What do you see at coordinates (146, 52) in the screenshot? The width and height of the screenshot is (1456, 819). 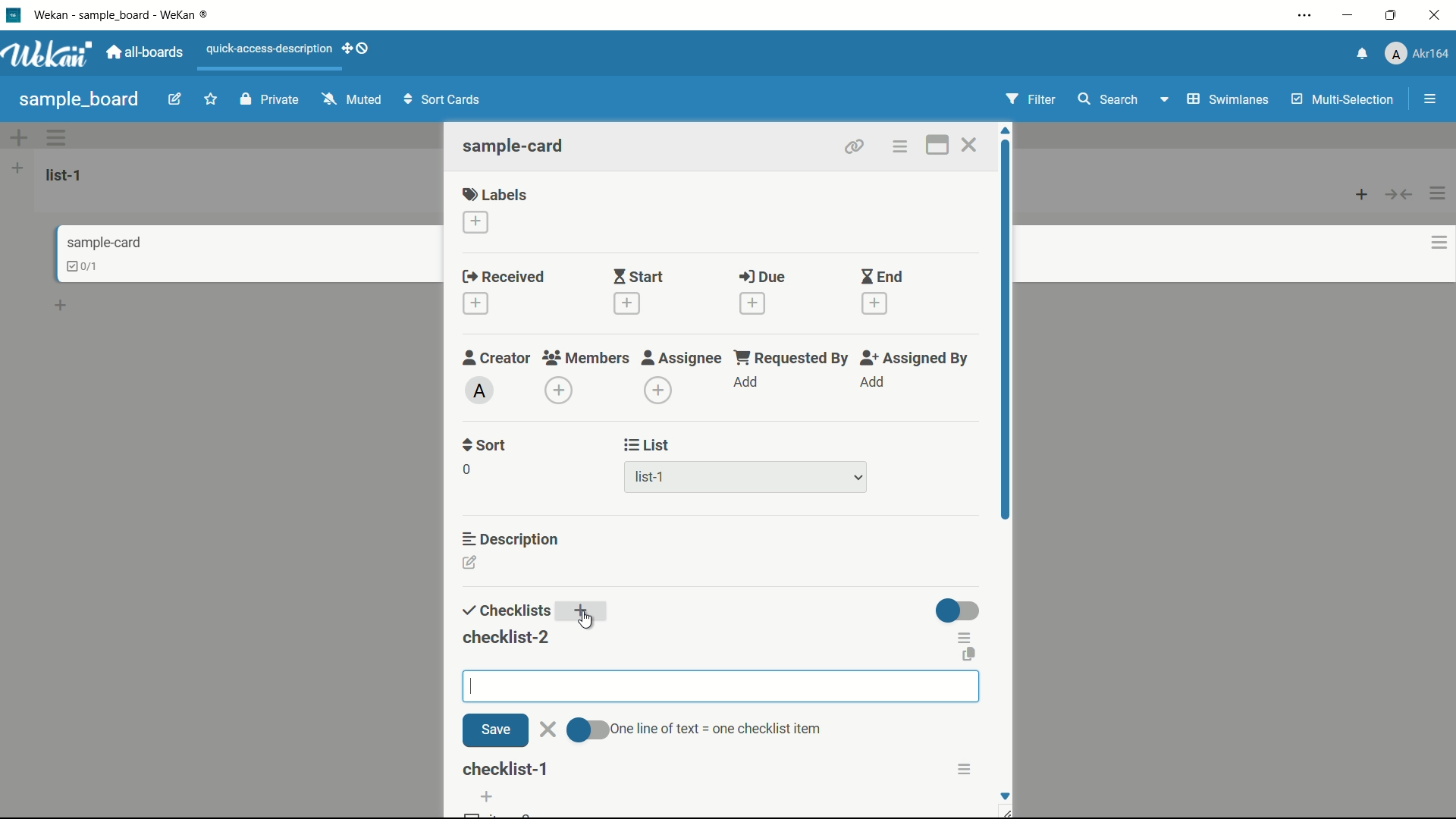 I see `all boards` at bounding box center [146, 52].